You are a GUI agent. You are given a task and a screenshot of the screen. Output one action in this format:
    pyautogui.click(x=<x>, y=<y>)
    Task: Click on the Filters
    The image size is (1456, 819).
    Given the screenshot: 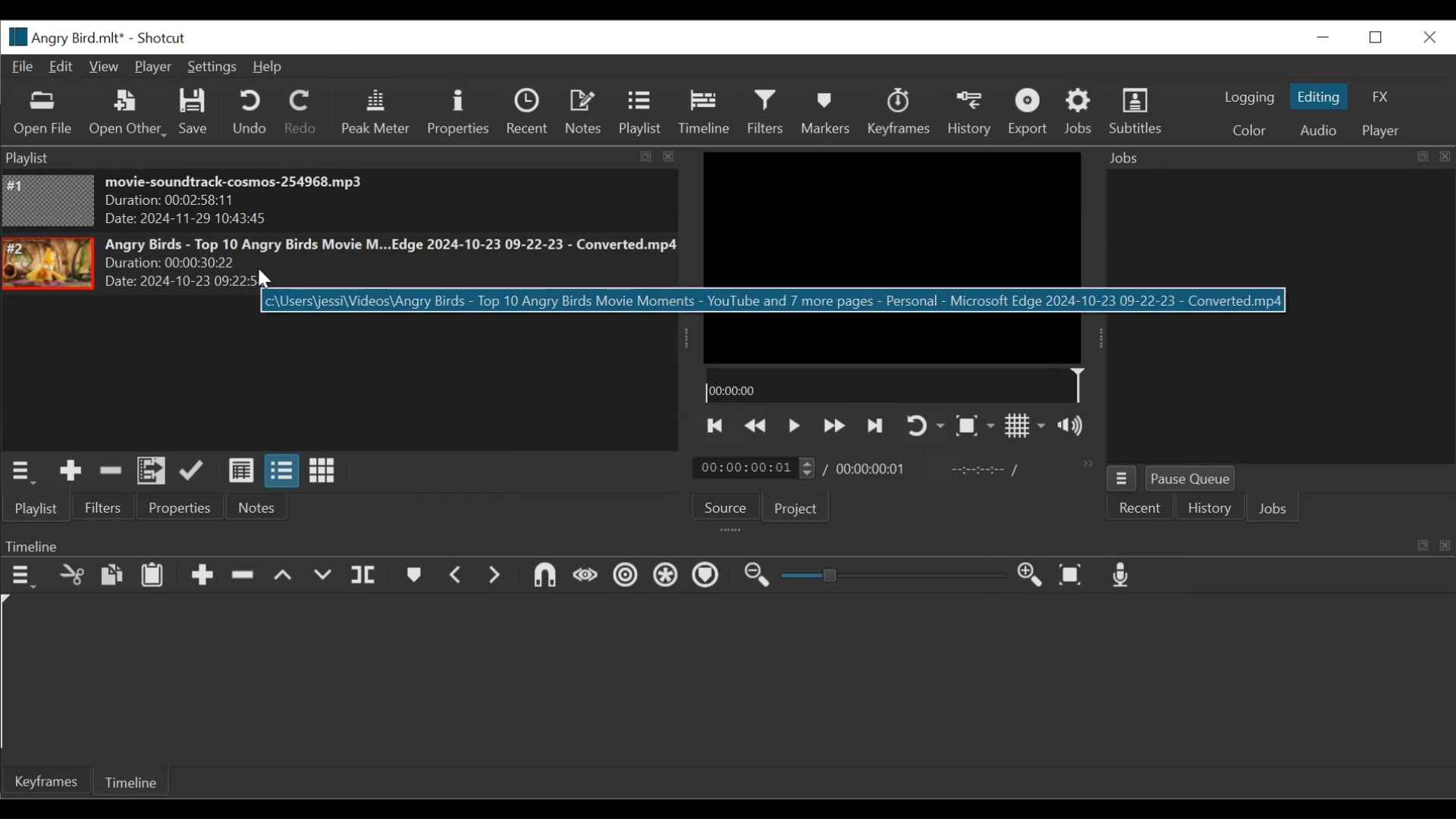 What is the action you would take?
    pyautogui.click(x=110, y=507)
    